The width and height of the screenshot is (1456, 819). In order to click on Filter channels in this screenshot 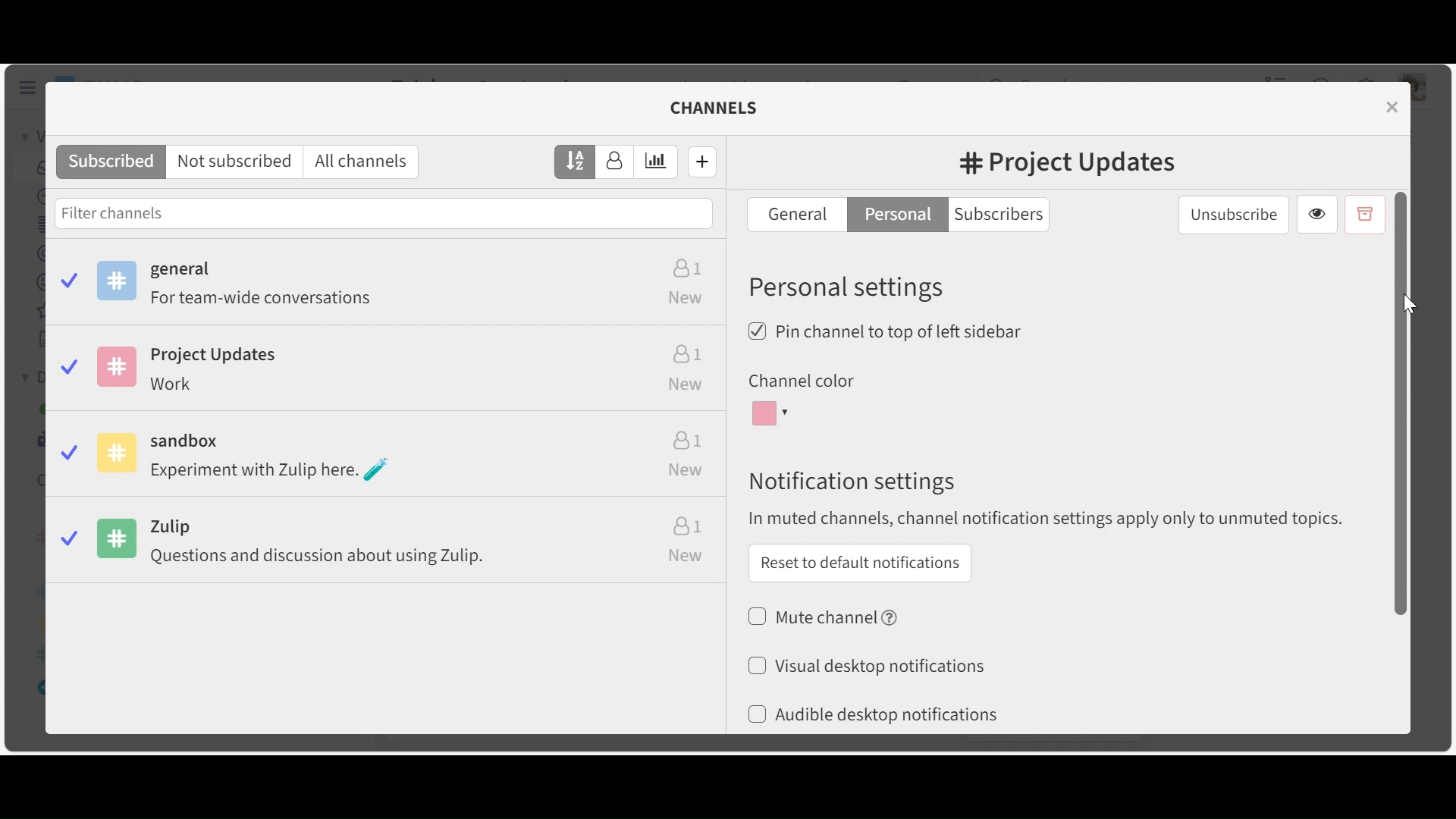, I will do `click(384, 212)`.